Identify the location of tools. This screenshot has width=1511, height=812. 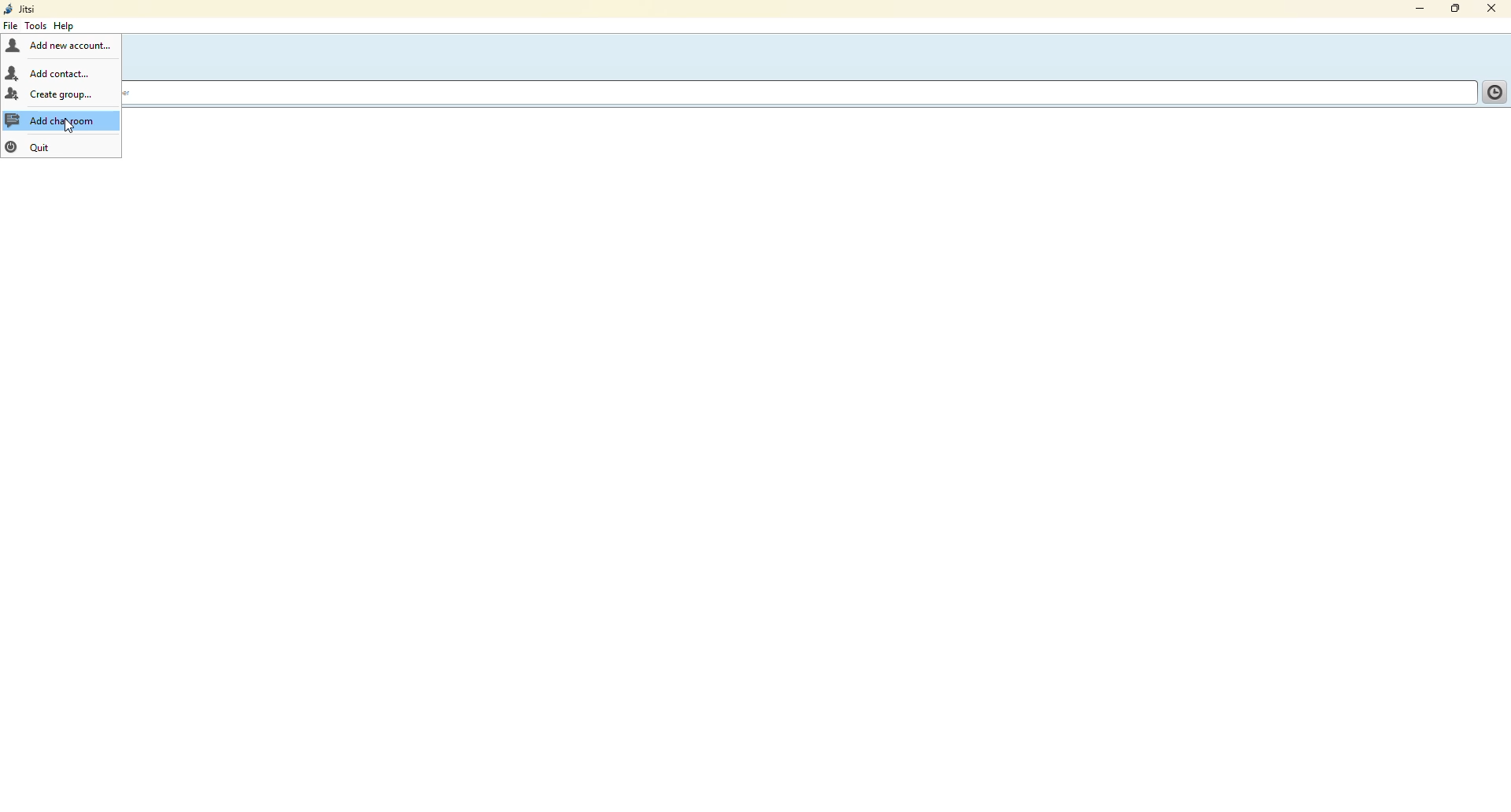
(34, 25).